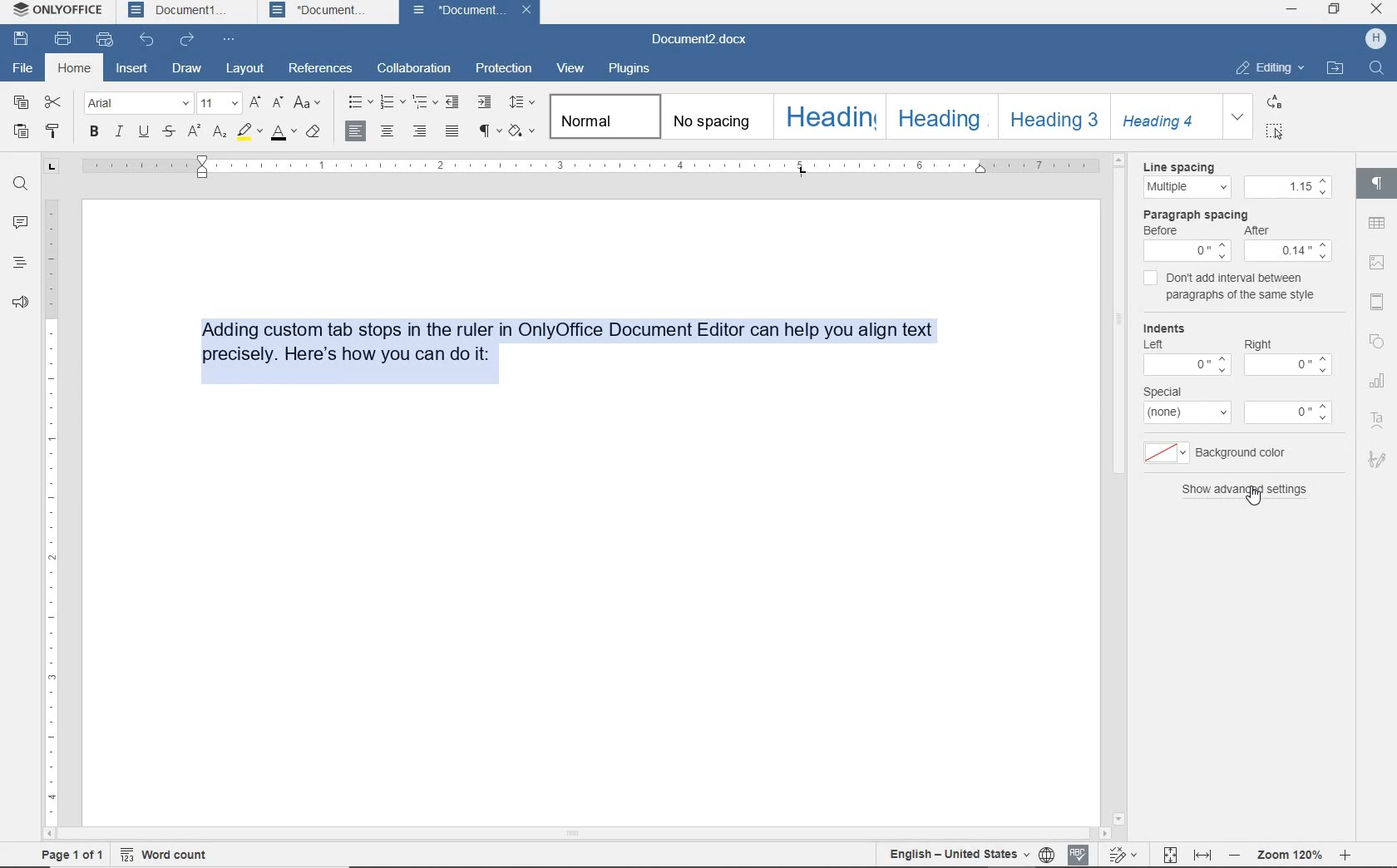  I want to click on text art, so click(1379, 414).